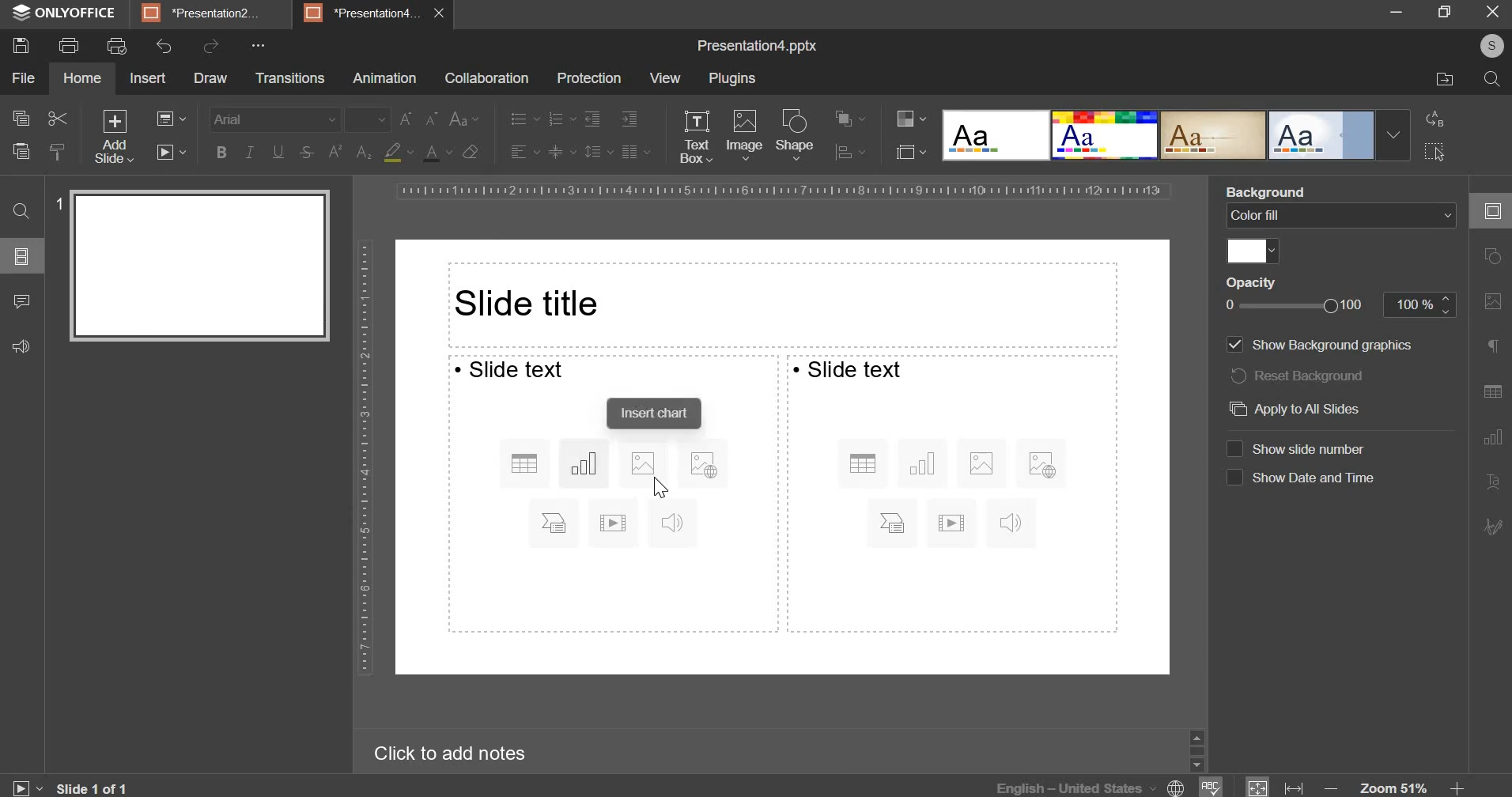  What do you see at coordinates (444, 13) in the screenshot?
I see `close presentation4` at bounding box center [444, 13].